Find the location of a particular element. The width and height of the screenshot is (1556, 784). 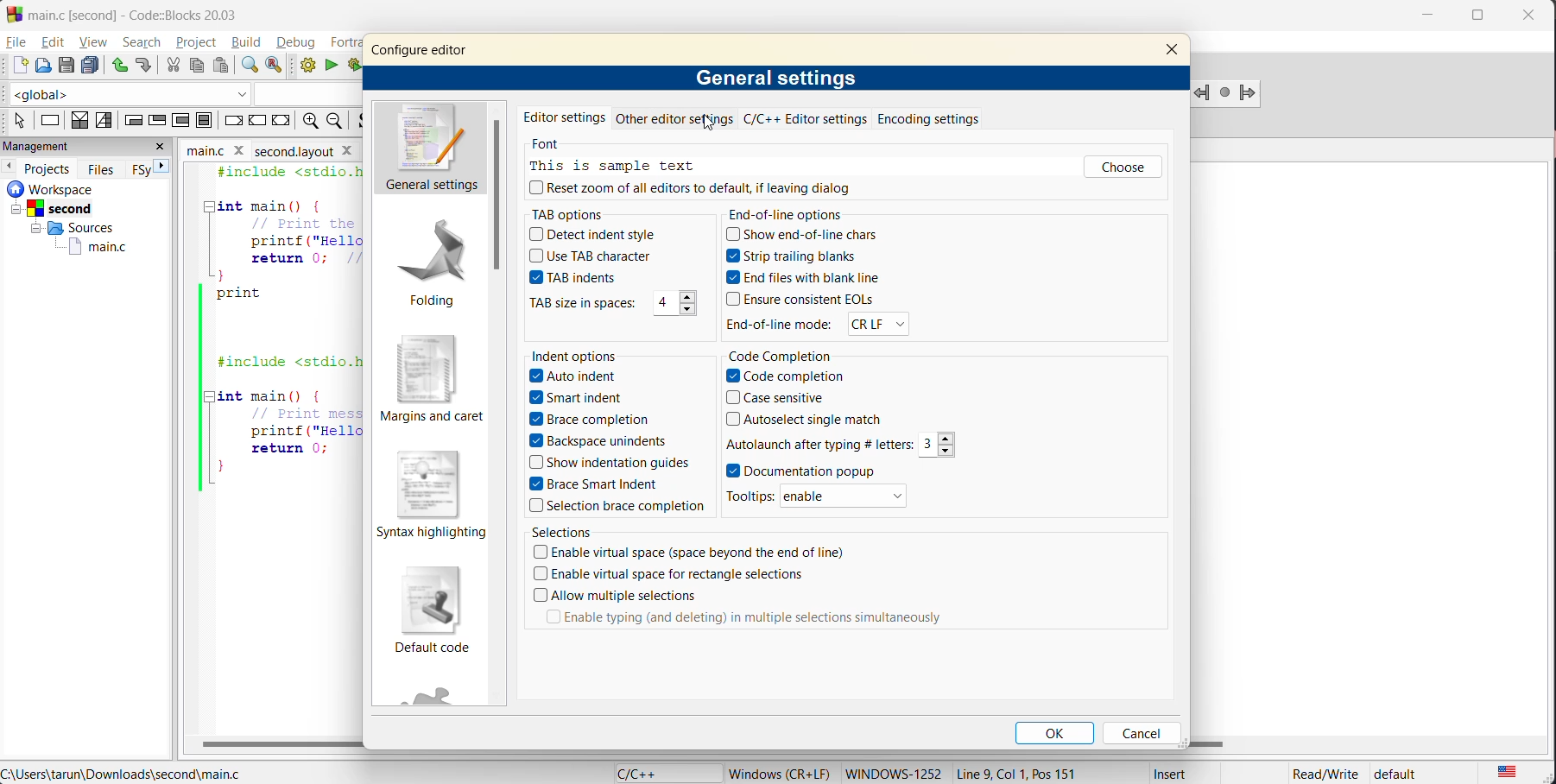

run is located at coordinates (331, 65).